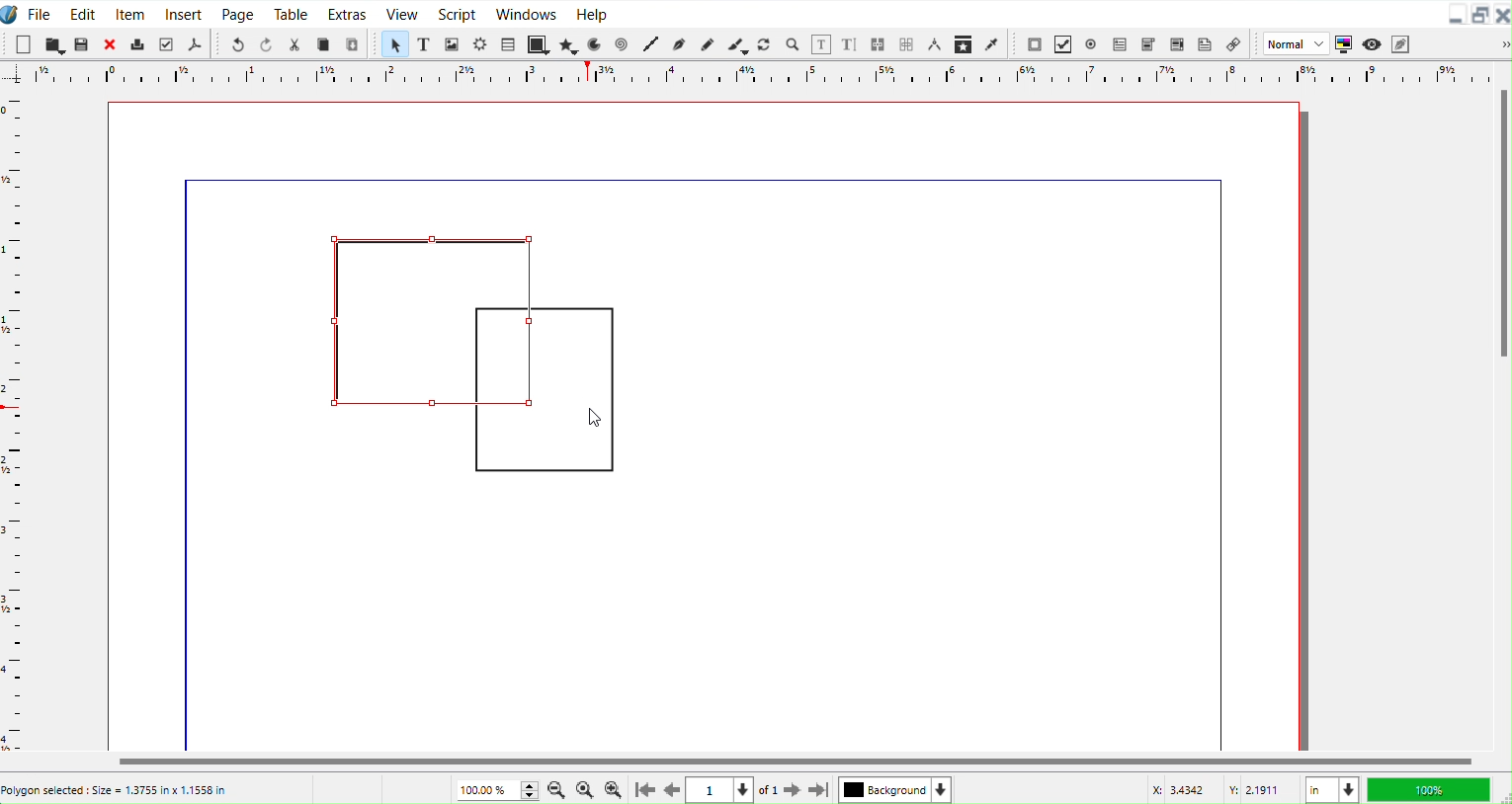 This screenshot has height=804, width=1512. What do you see at coordinates (768, 791) in the screenshot?
I see `of 1` at bounding box center [768, 791].